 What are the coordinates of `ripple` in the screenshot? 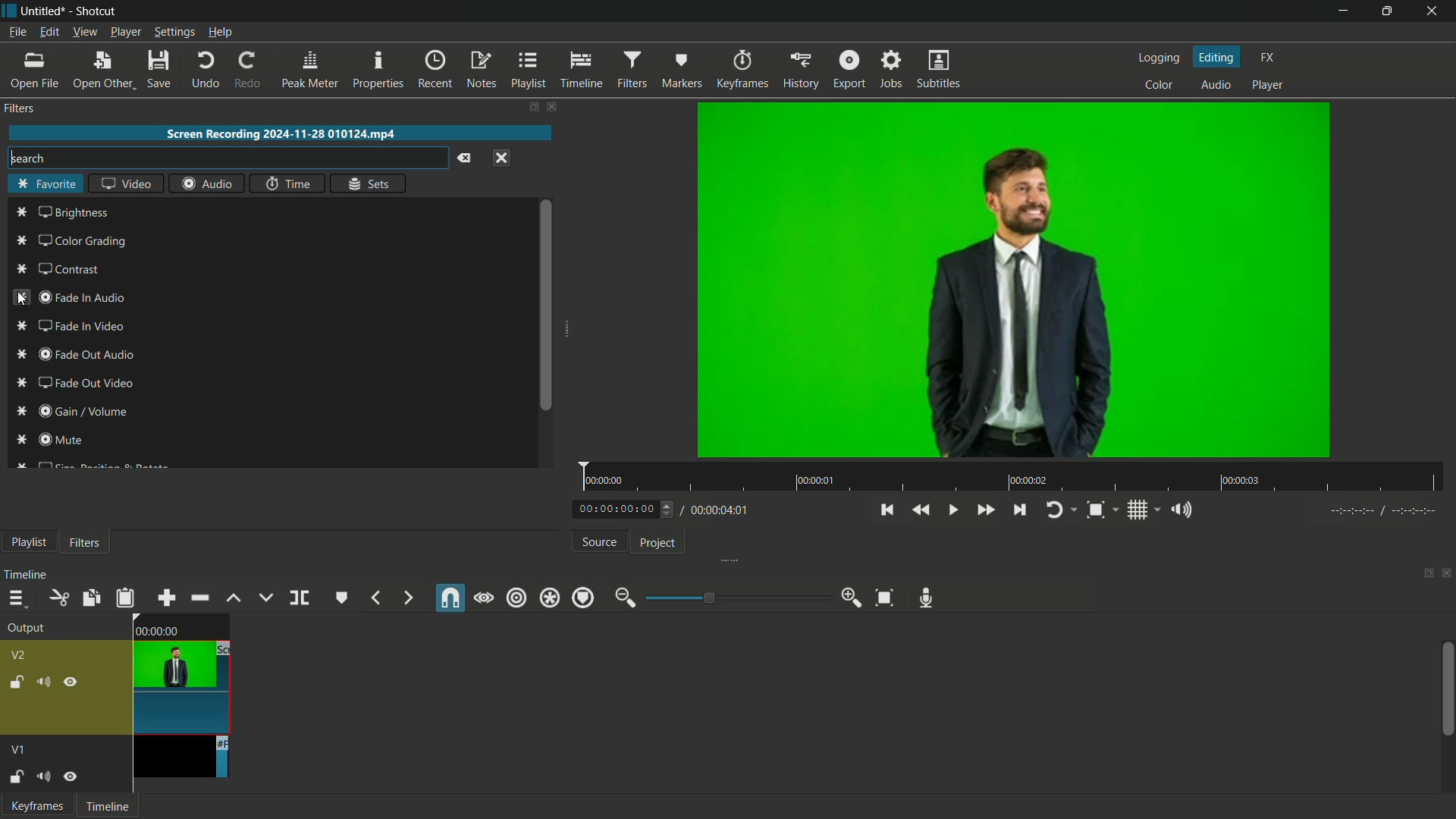 It's located at (516, 598).